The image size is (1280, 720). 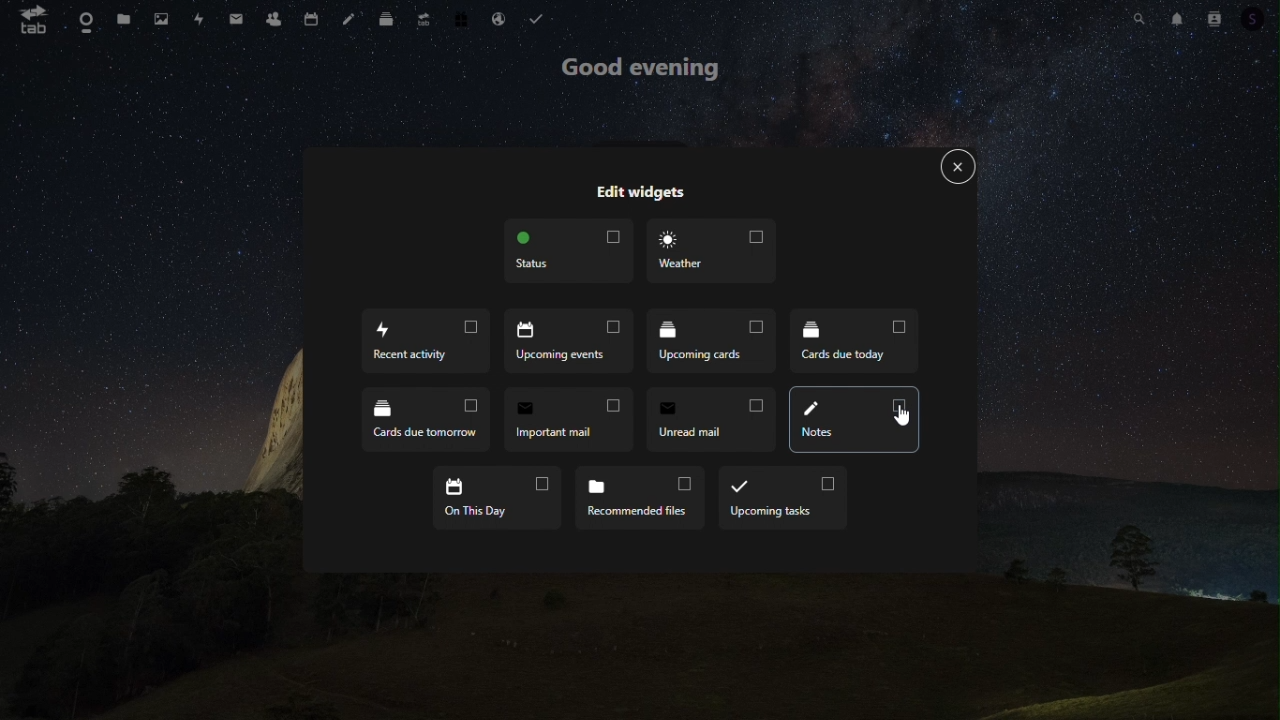 What do you see at coordinates (426, 419) in the screenshot?
I see `cards due tomorrow` at bounding box center [426, 419].